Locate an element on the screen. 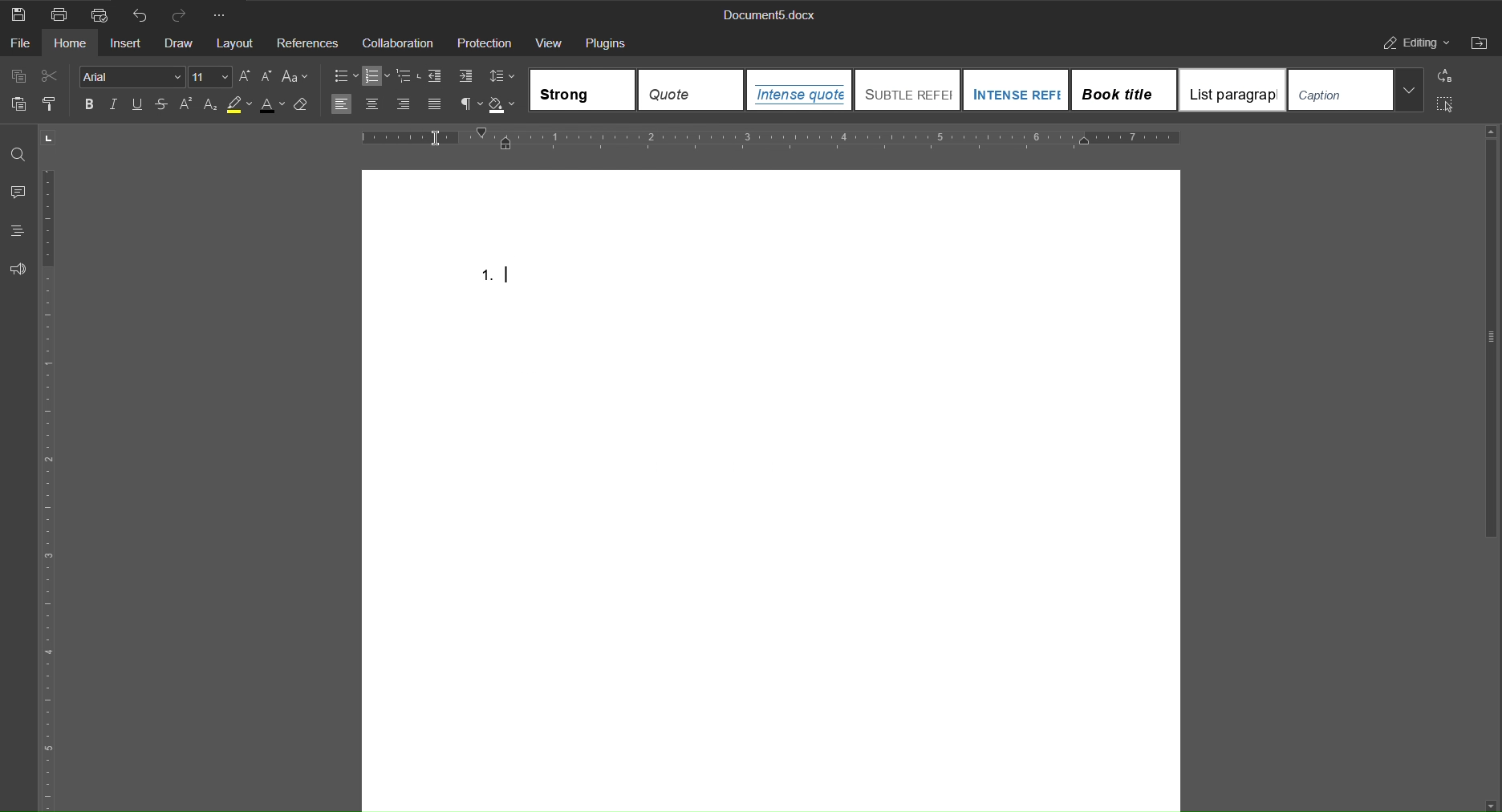  Print is located at coordinates (62, 14).